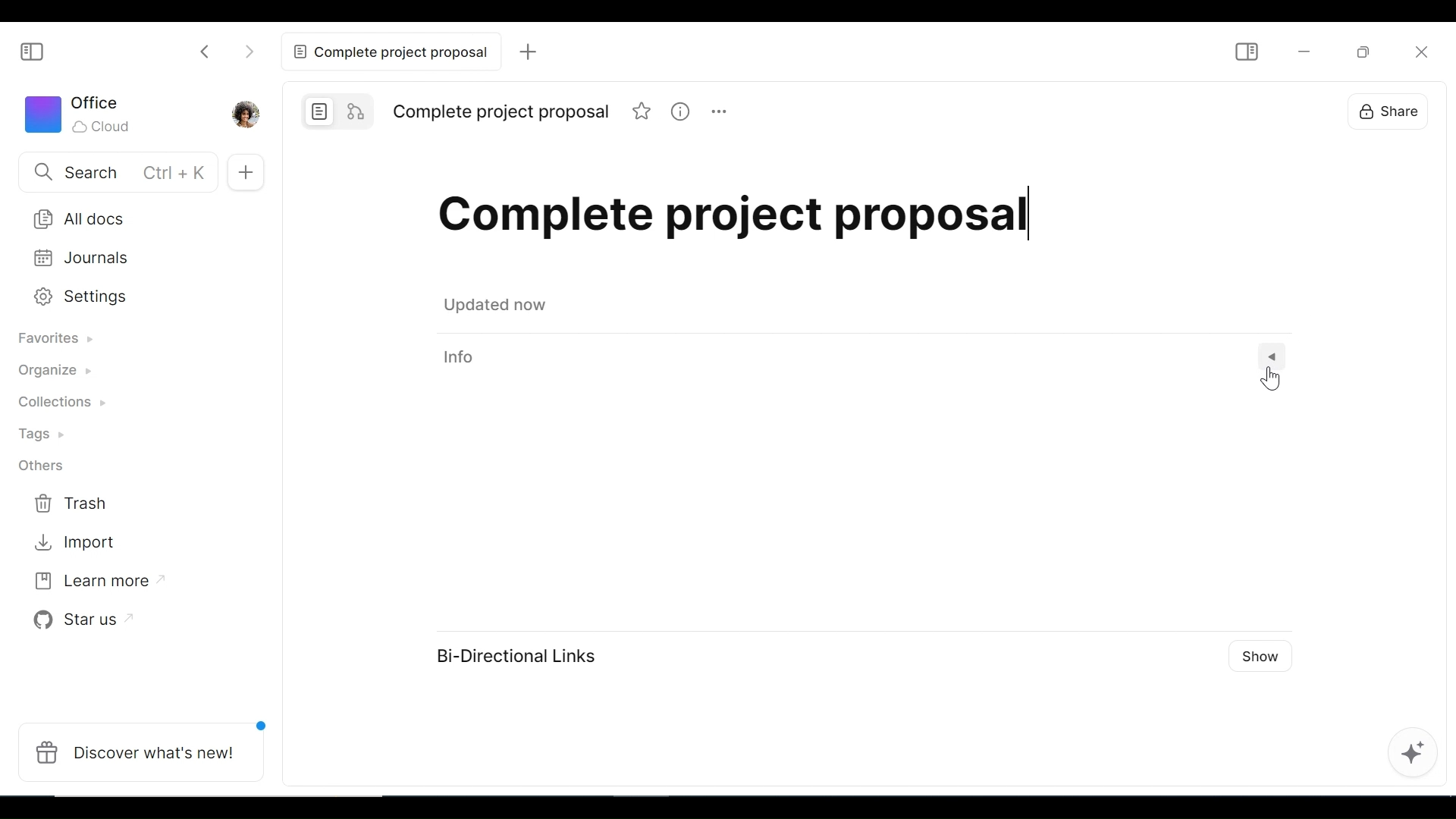 The height and width of the screenshot is (819, 1456). What do you see at coordinates (643, 114) in the screenshot?
I see `favorite` at bounding box center [643, 114].